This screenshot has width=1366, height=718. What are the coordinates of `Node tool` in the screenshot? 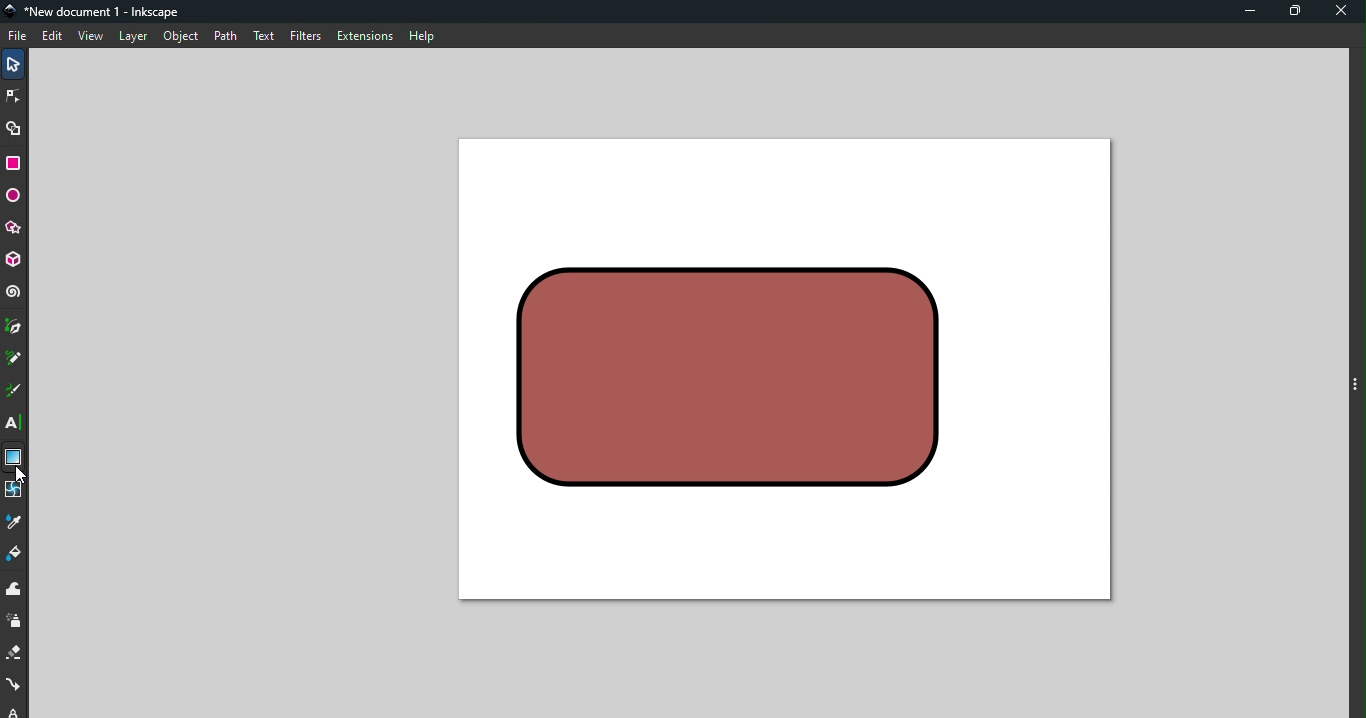 It's located at (16, 93).